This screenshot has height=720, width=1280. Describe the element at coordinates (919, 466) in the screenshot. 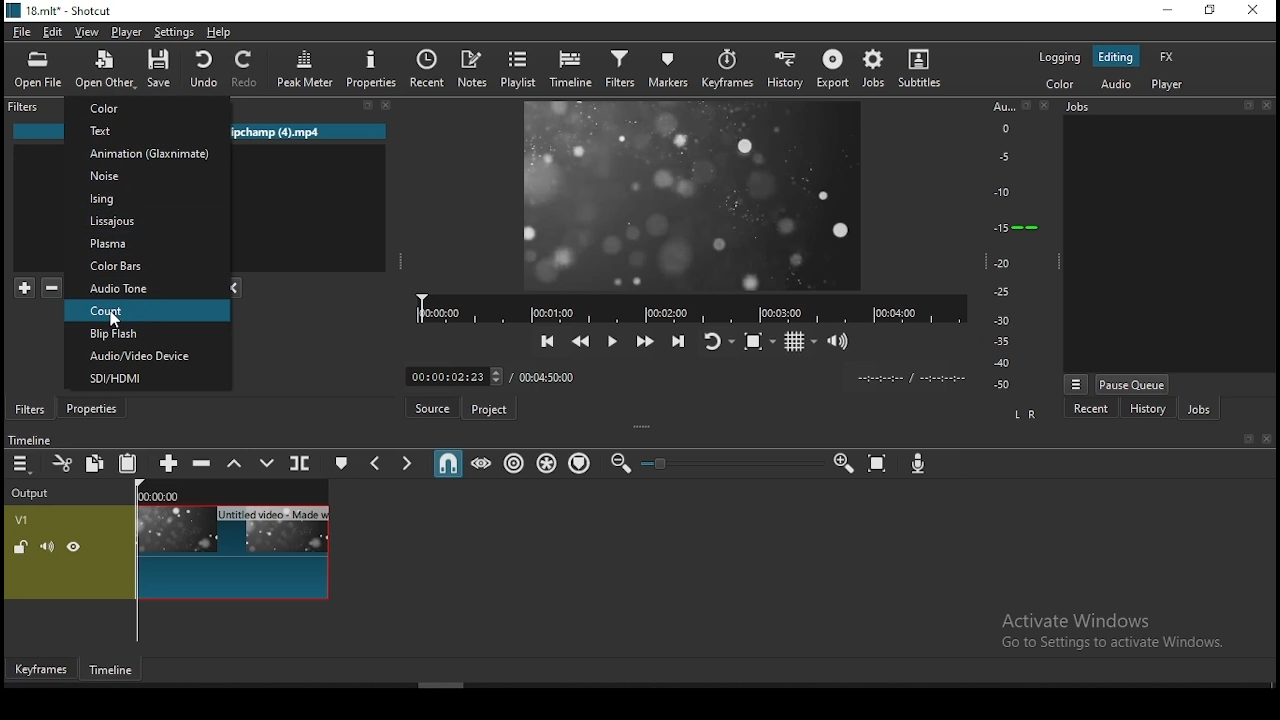

I see `record audio` at that location.